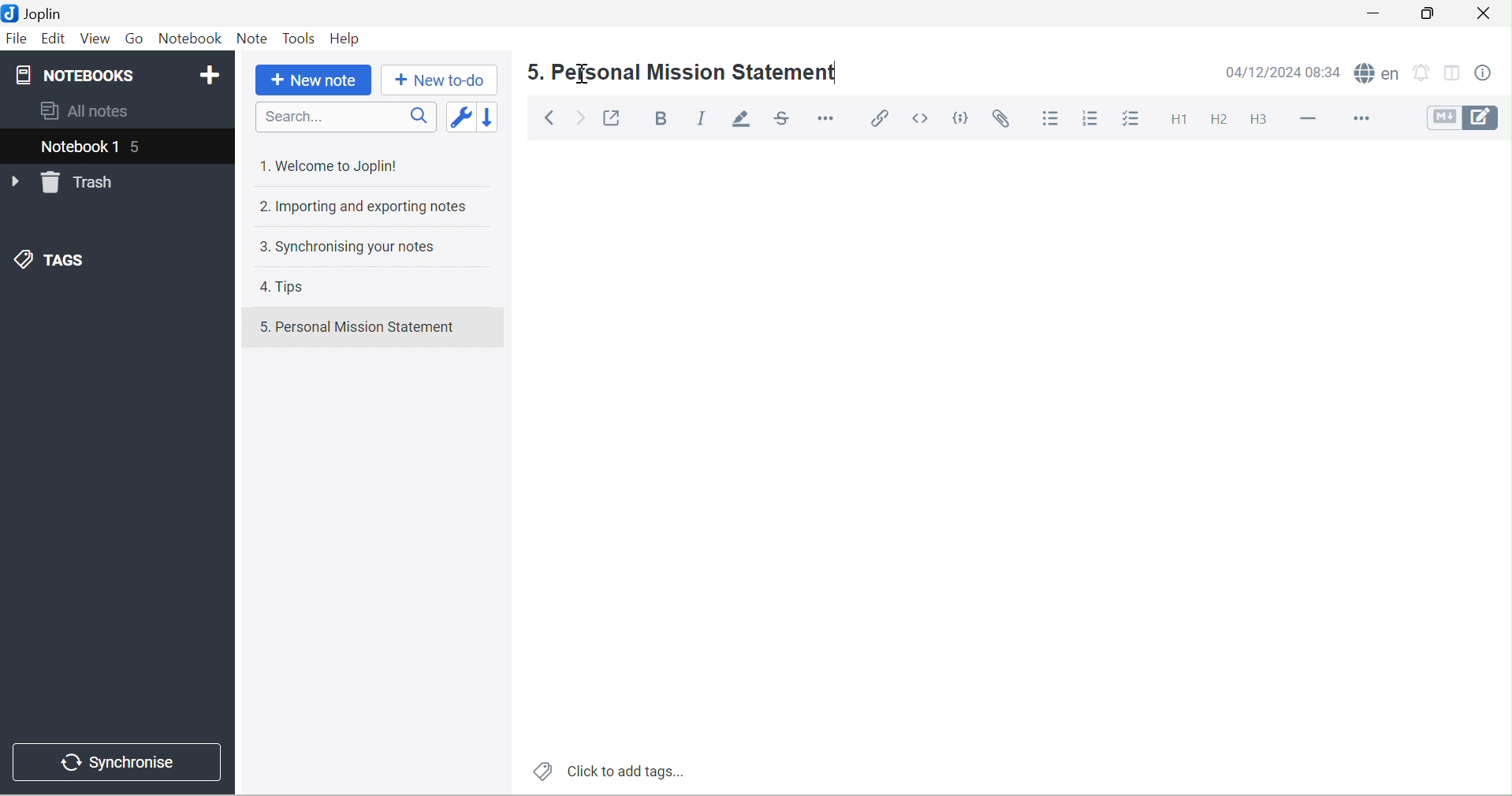 Image resolution: width=1512 pixels, height=796 pixels. I want to click on cursor, so click(584, 69).